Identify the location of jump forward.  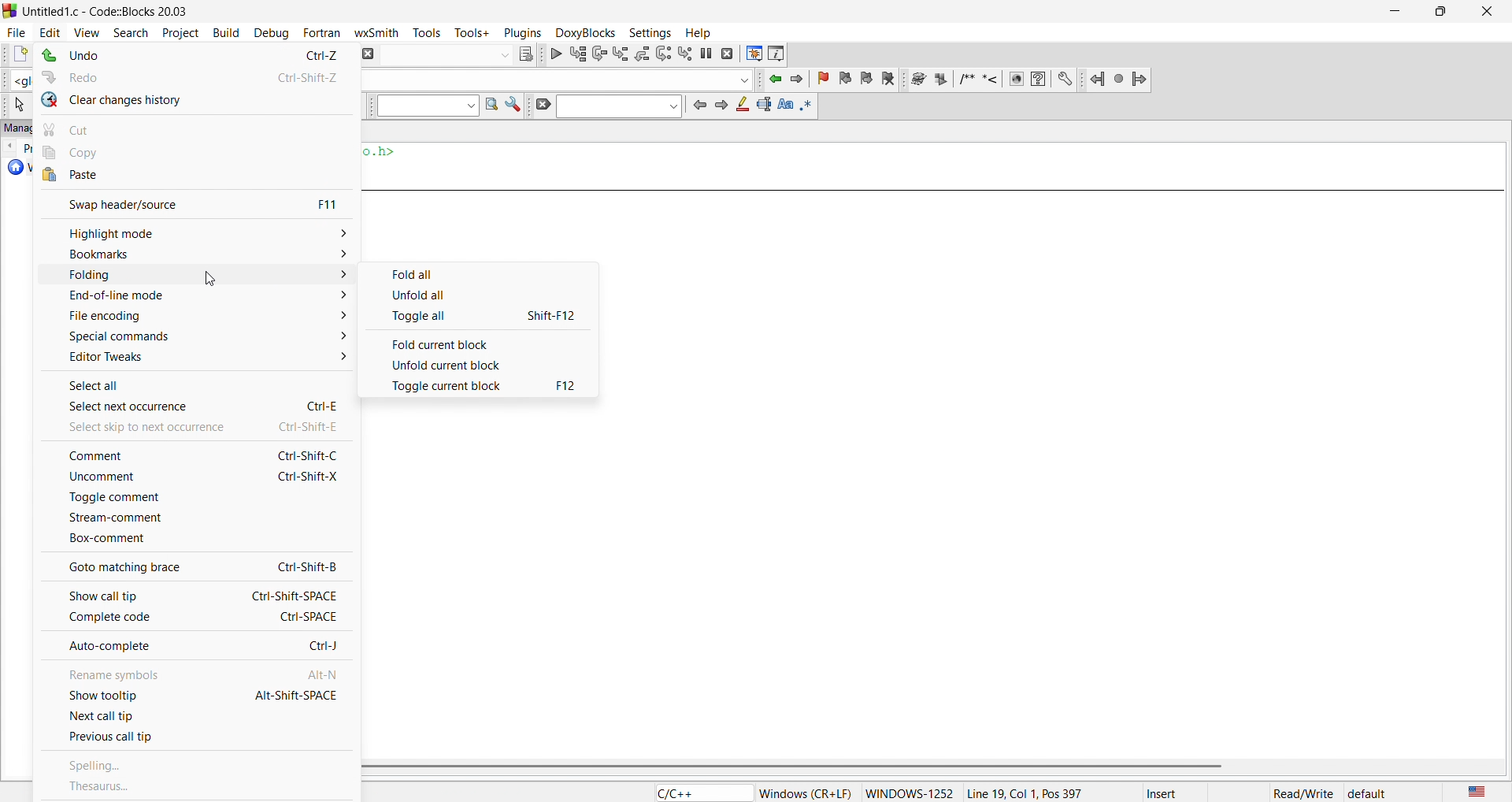
(801, 79).